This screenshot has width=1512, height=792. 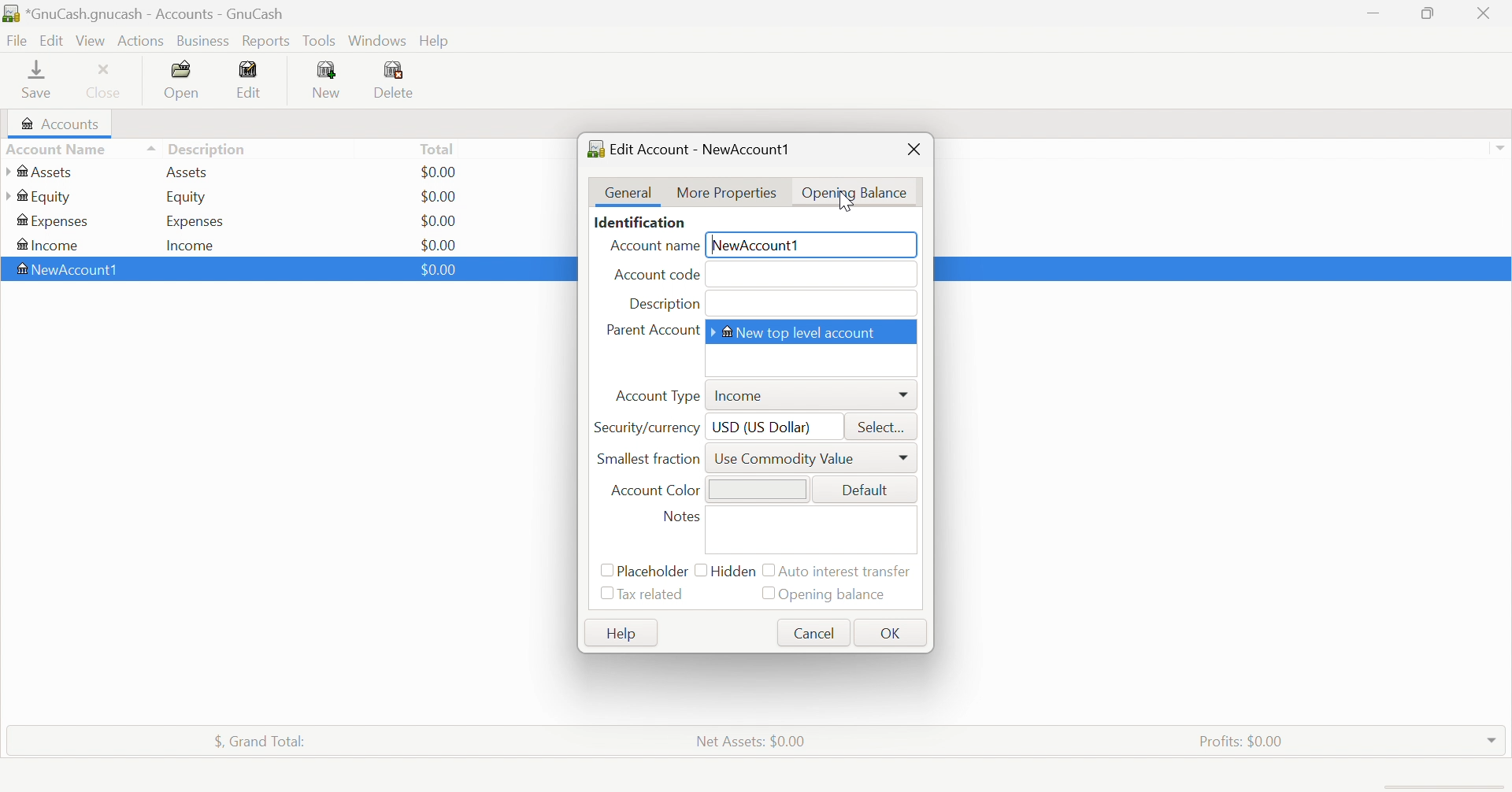 What do you see at coordinates (264, 741) in the screenshot?
I see `$, Grand Total:` at bounding box center [264, 741].